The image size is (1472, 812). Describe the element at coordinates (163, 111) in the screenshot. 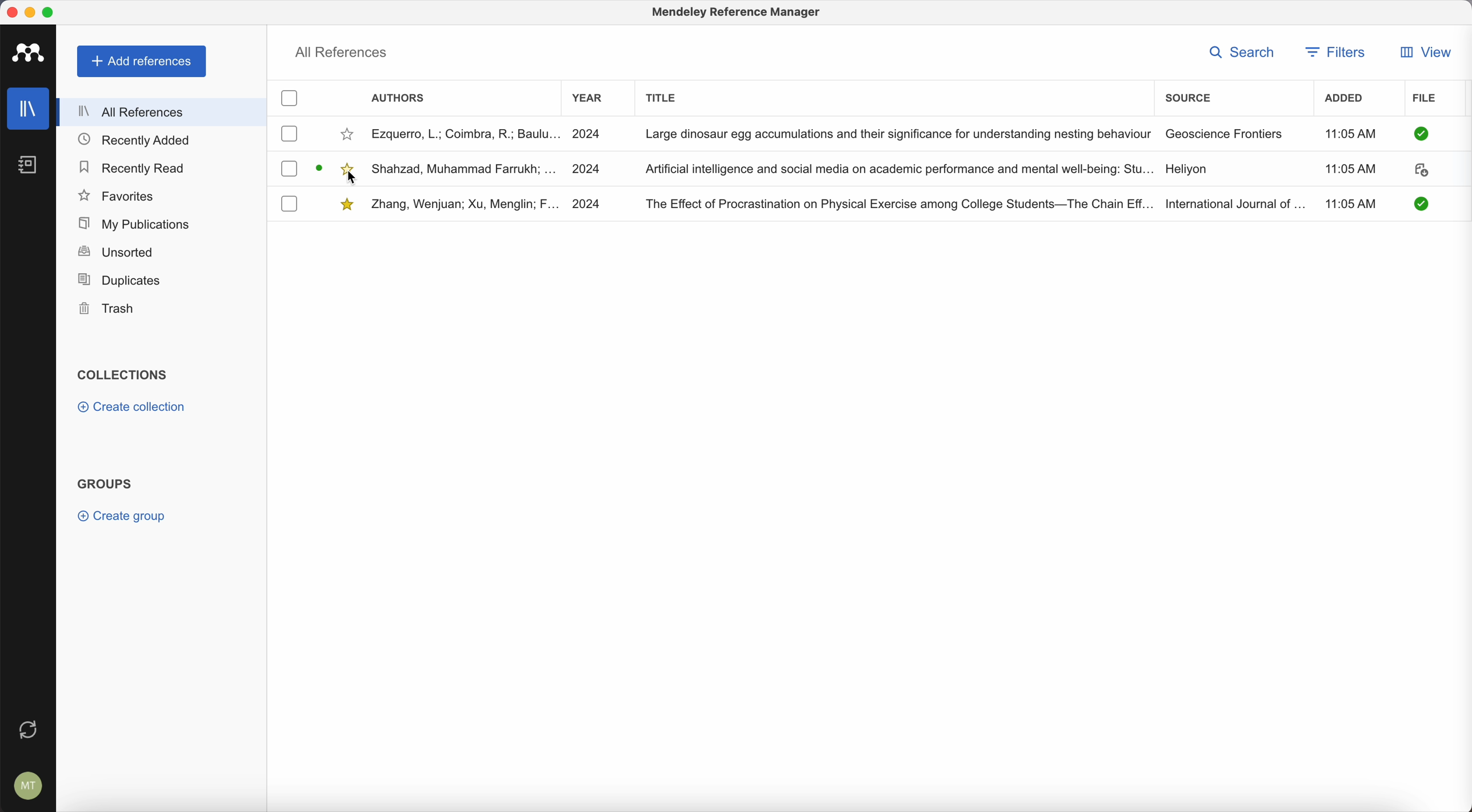

I see `all references` at that location.